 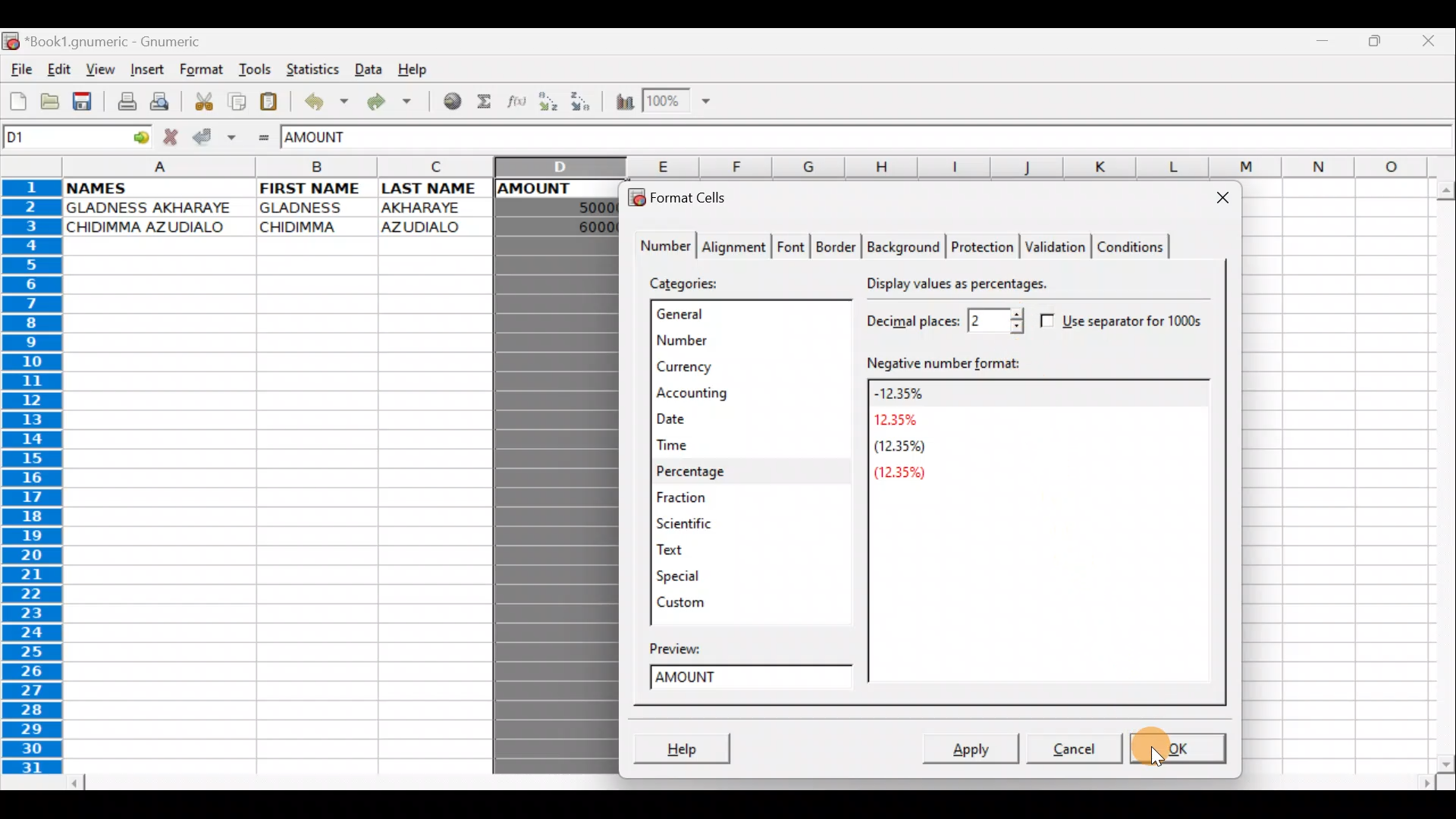 What do you see at coordinates (714, 446) in the screenshot?
I see `Time` at bounding box center [714, 446].